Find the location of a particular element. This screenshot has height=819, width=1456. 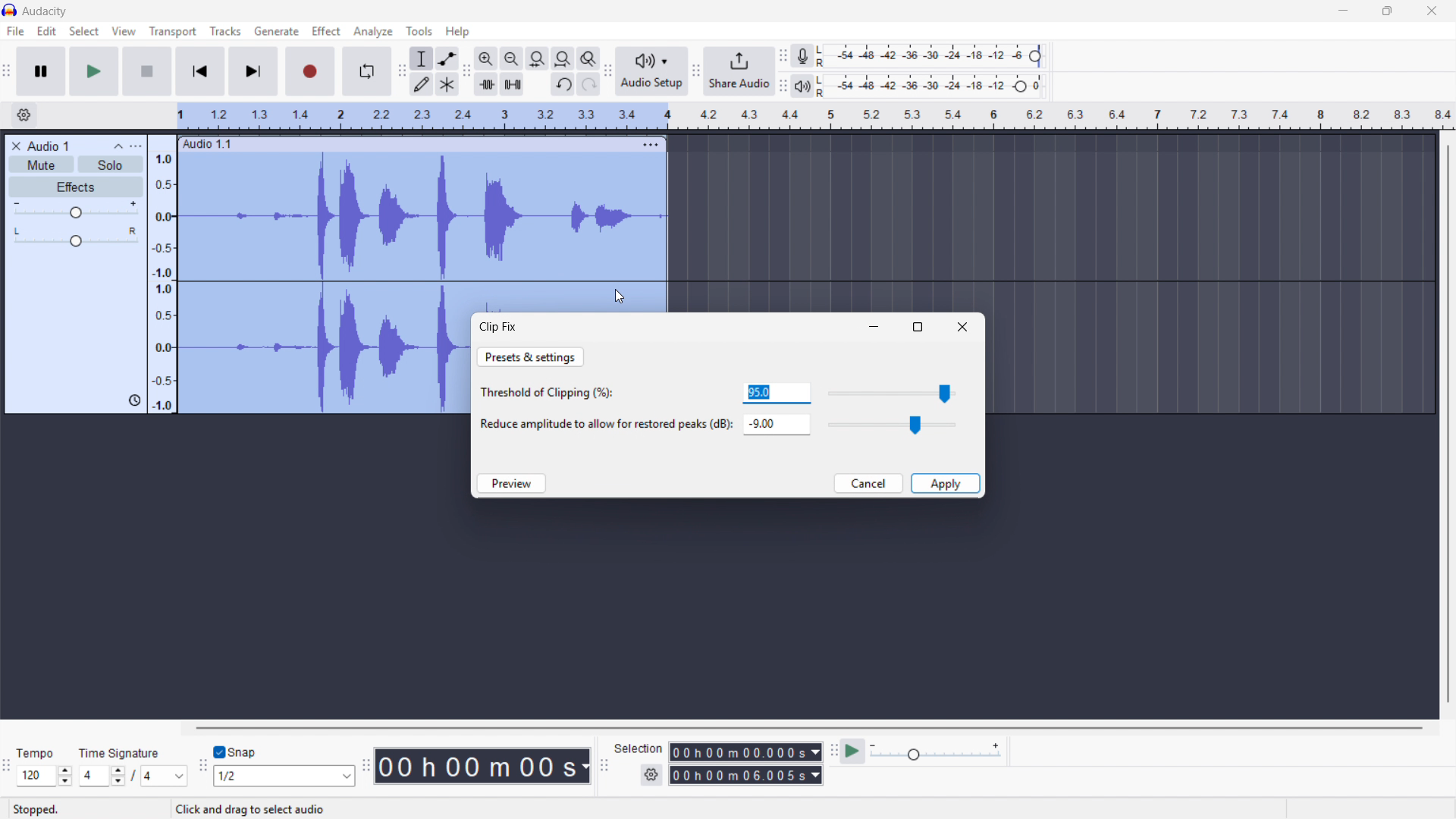

Play at speed toolbar is located at coordinates (831, 752).